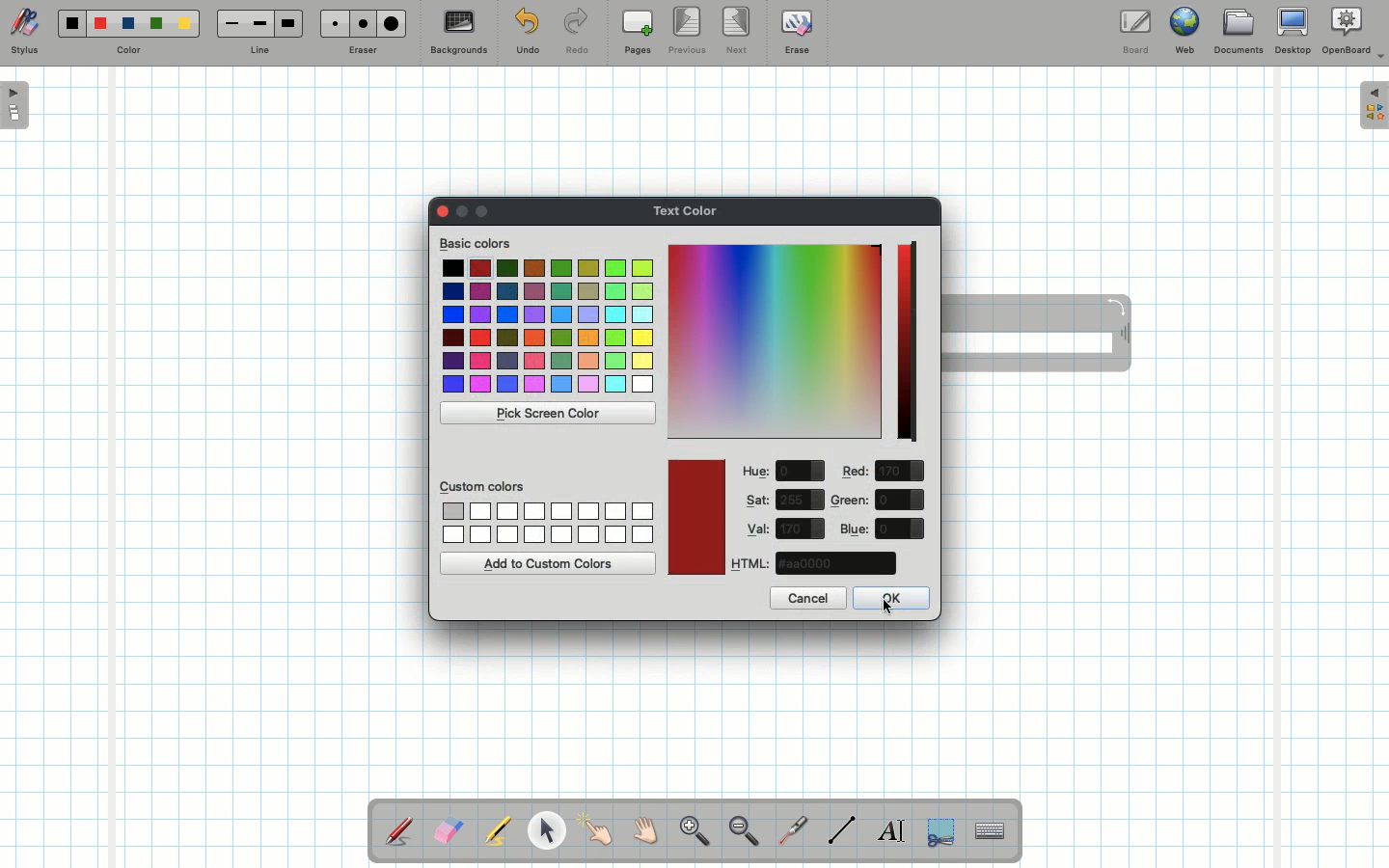 The image size is (1389, 868). What do you see at coordinates (775, 341) in the screenshot?
I see `Color picker` at bounding box center [775, 341].